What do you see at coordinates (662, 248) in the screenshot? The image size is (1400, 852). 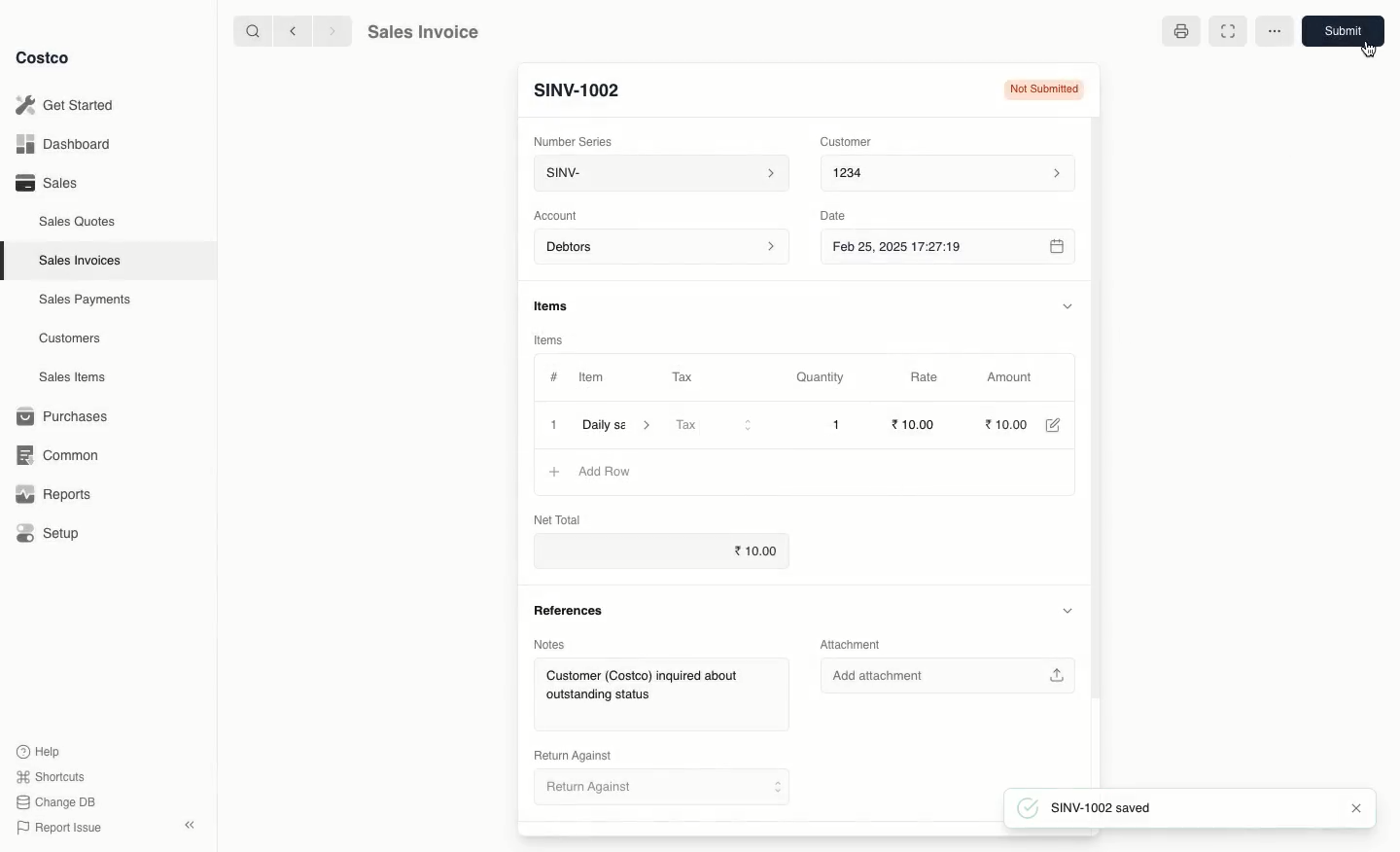 I see `Debtors` at bounding box center [662, 248].